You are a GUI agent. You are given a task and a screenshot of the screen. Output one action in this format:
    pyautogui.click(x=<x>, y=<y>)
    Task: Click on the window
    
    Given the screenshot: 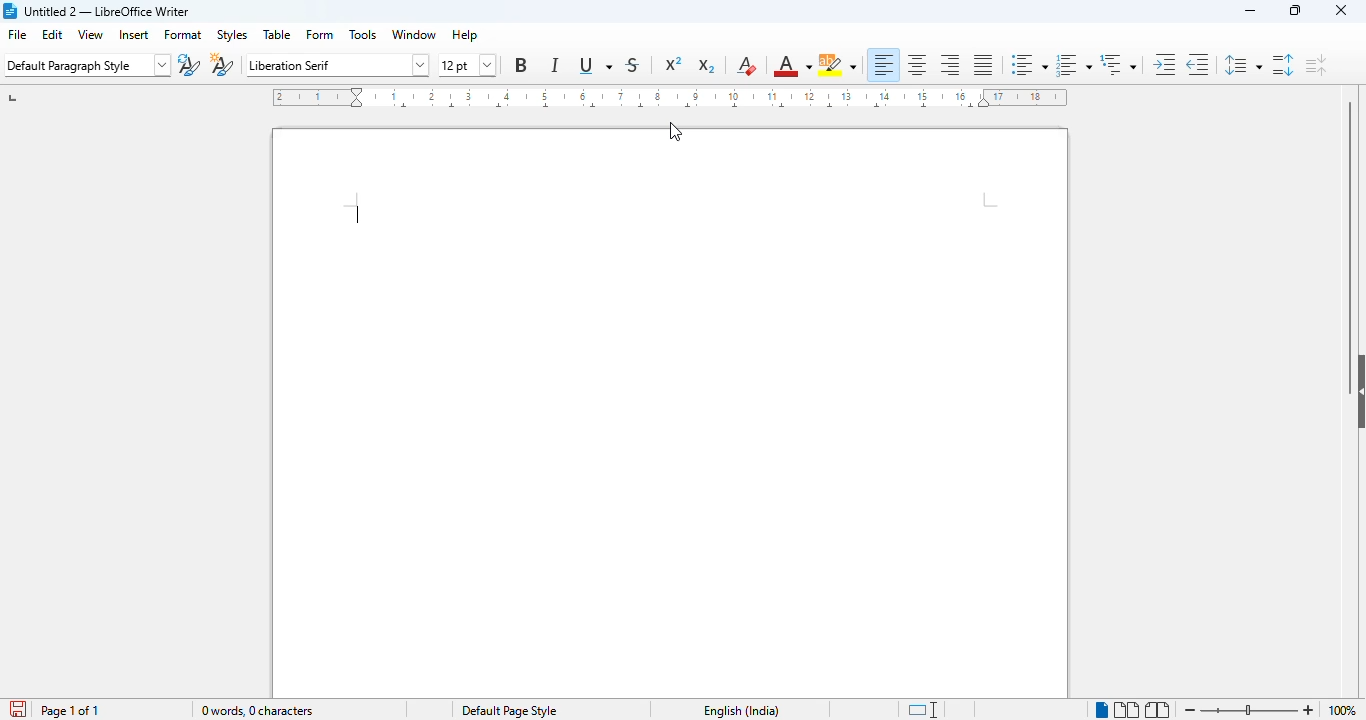 What is the action you would take?
    pyautogui.click(x=412, y=35)
    